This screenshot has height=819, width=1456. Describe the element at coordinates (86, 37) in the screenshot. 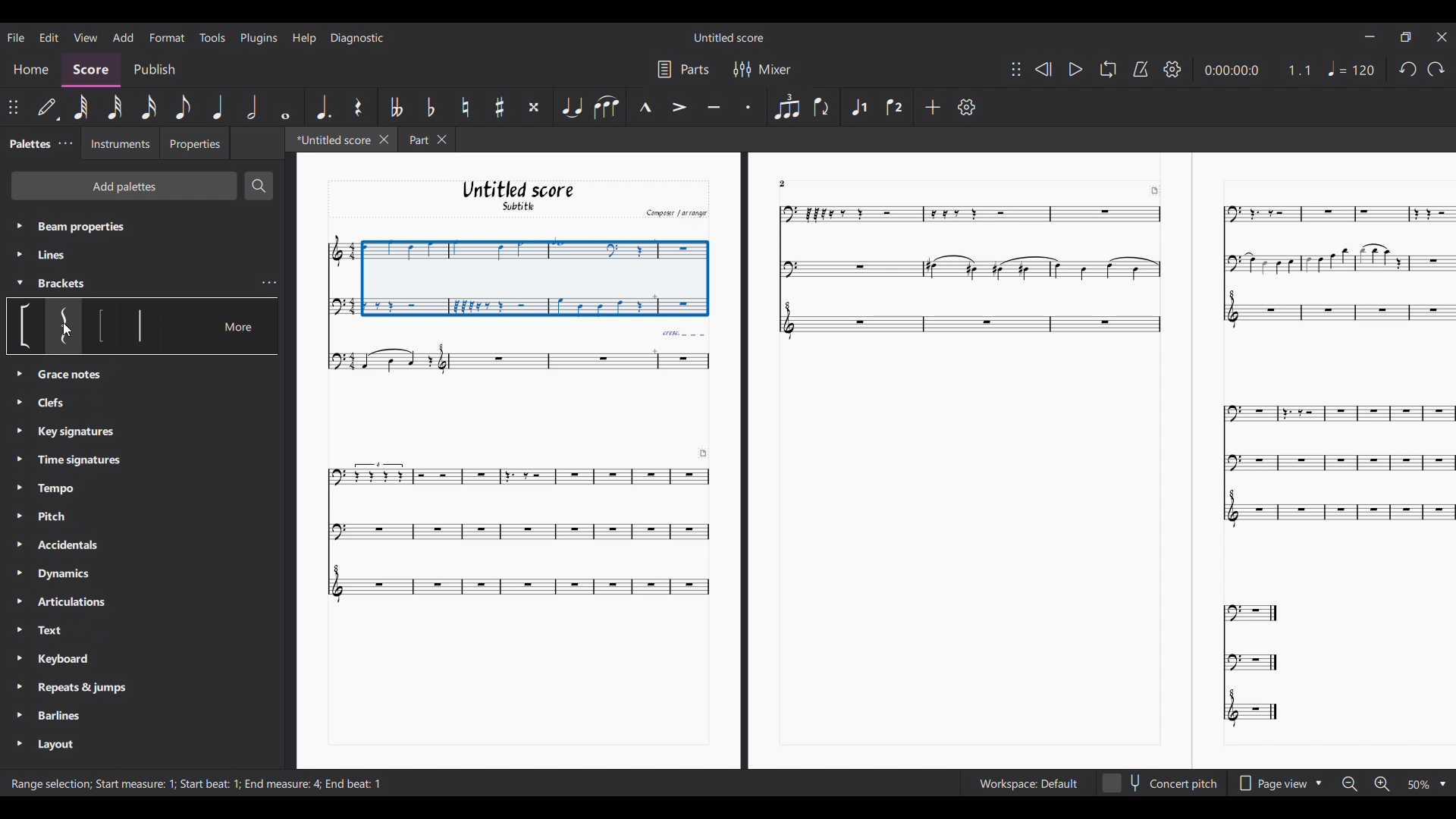

I see `View ` at that location.